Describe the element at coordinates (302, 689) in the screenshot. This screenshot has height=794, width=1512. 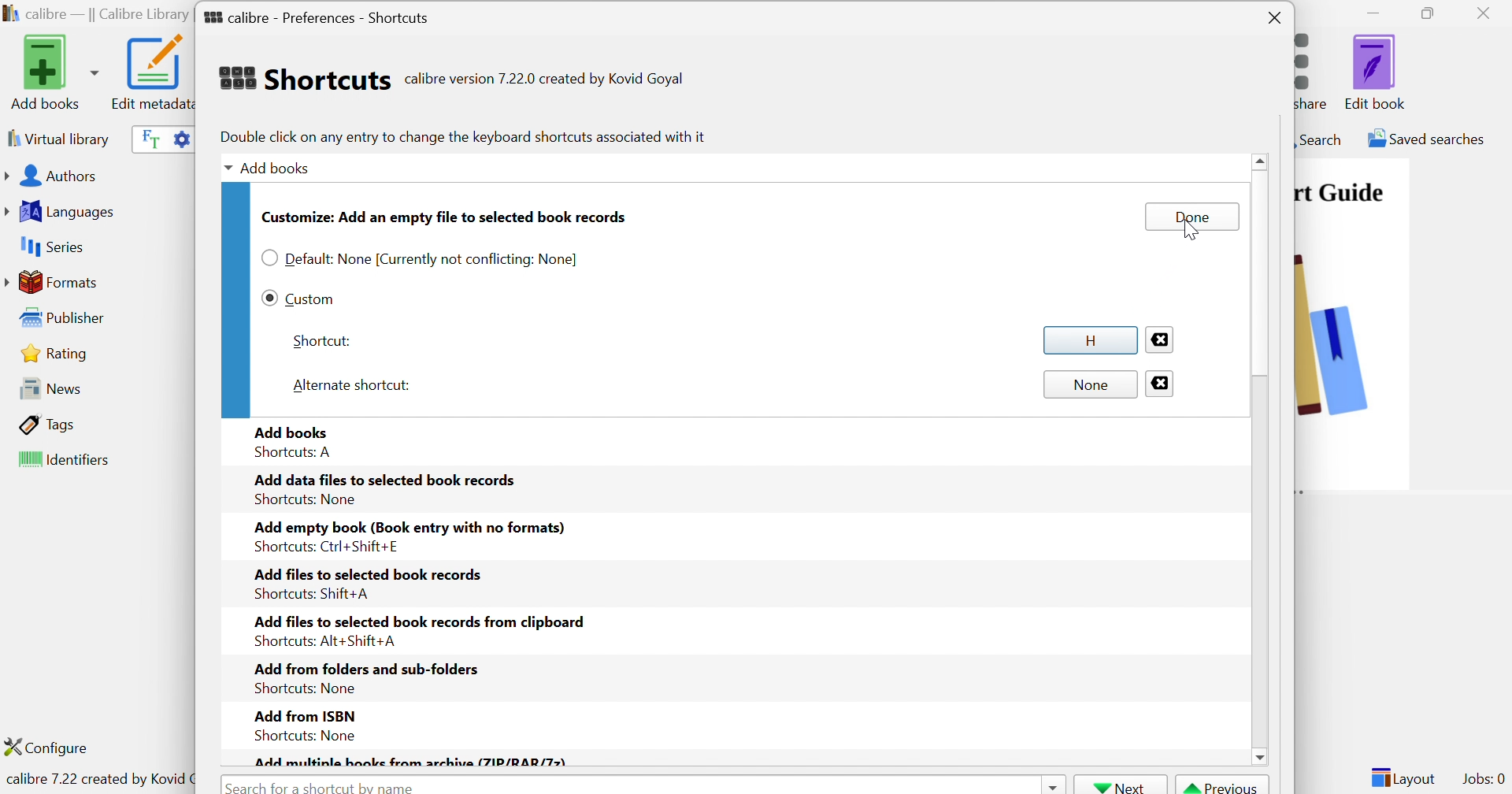
I see `Shortcuts: None` at that location.